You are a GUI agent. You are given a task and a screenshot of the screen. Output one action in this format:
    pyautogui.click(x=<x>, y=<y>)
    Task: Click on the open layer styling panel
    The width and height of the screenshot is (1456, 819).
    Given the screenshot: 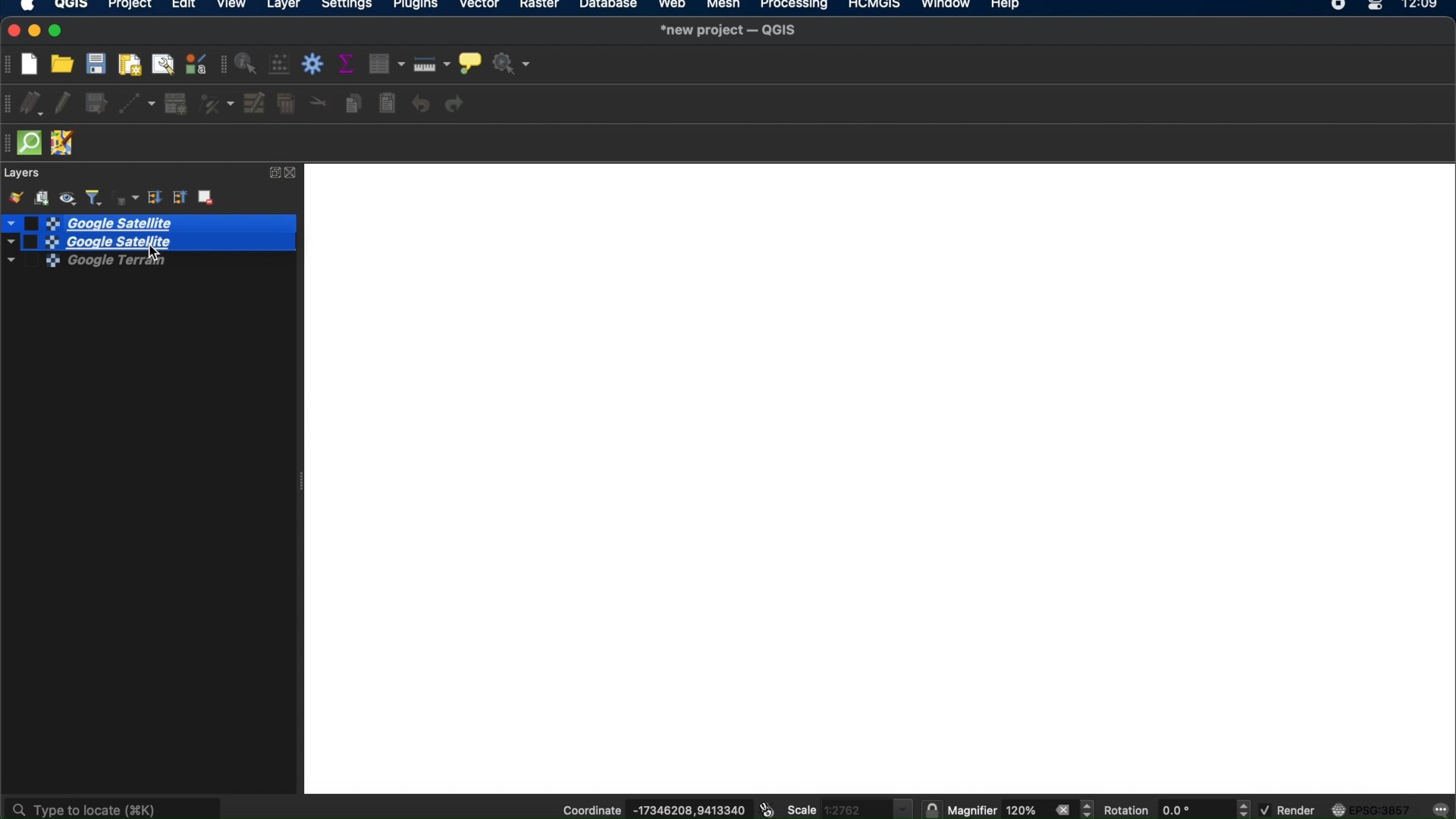 What is the action you would take?
    pyautogui.click(x=14, y=197)
    